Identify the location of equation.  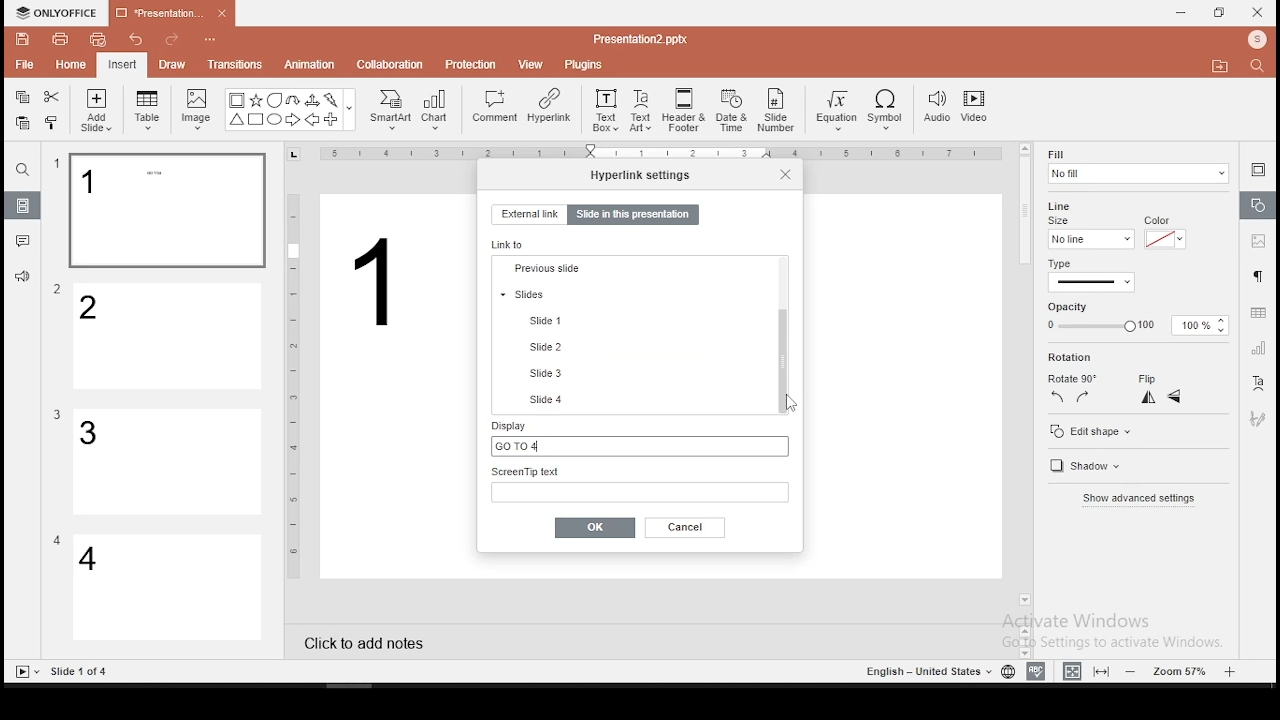
(835, 111).